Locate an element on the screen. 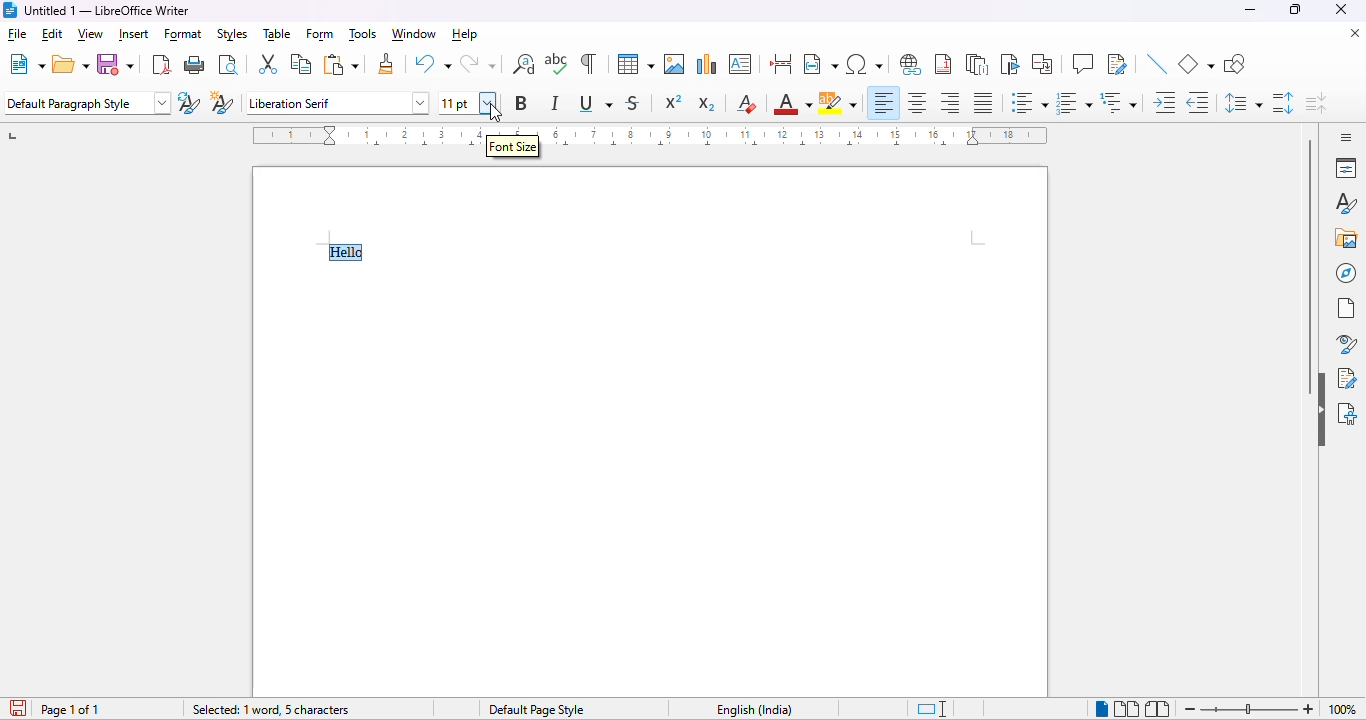  accessibility check is located at coordinates (1348, 414).